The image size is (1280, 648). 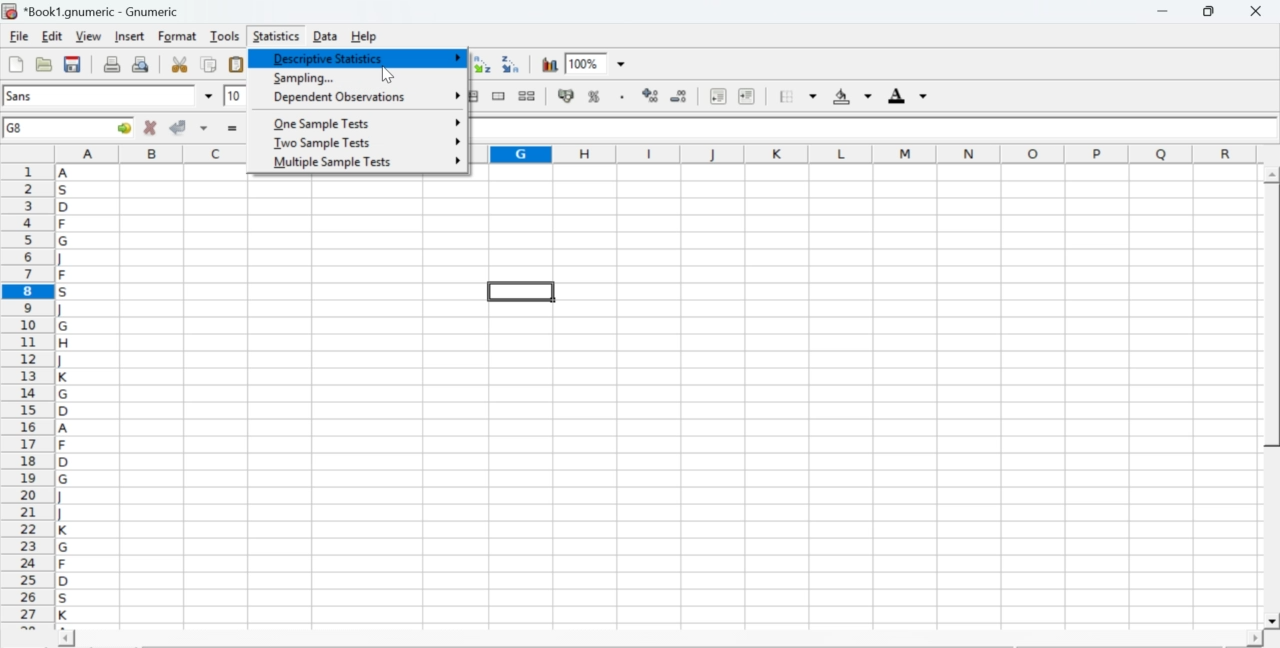 I want to click on drop down, so click(x=622, y=65).